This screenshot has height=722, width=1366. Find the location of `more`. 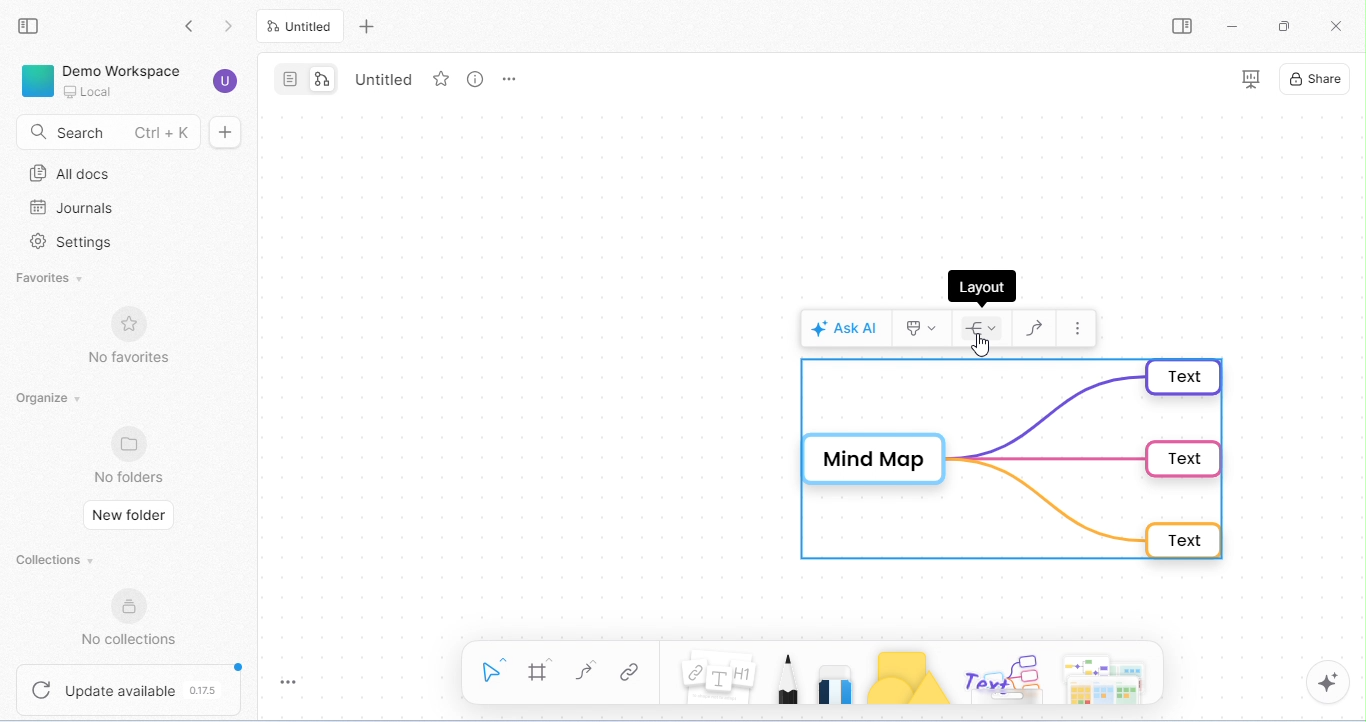

more is located at coordinates (1077, 328).